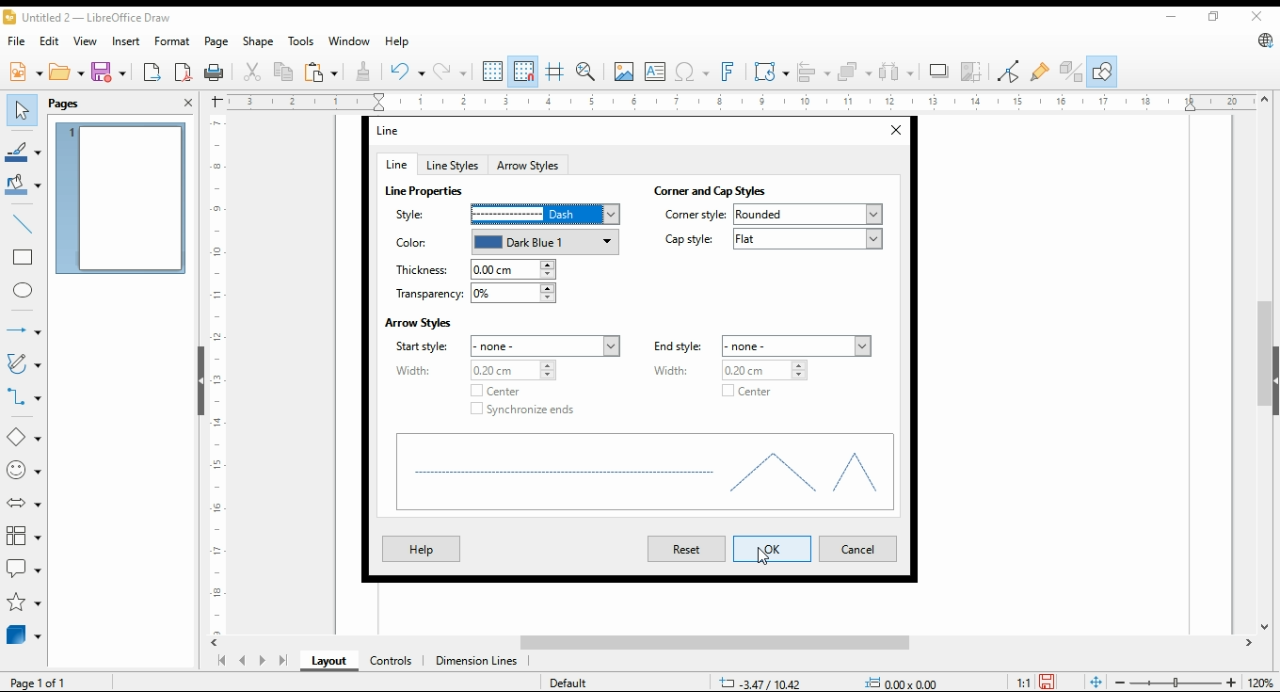 This screenshot has height=692, width=1280. Describe the element at coordinates (25, 70) in the screenshot. I see `new` at that location.